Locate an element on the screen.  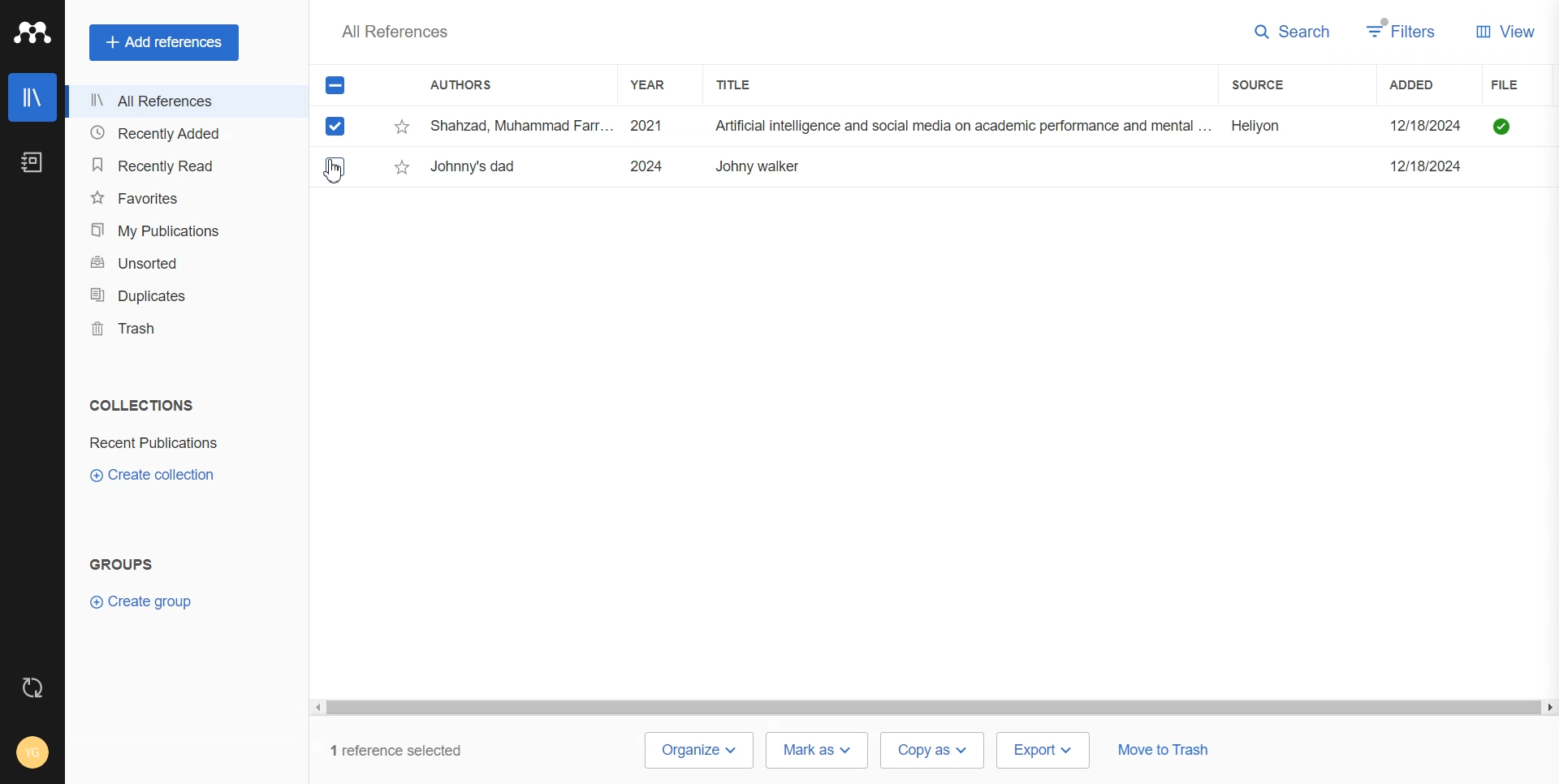
Filters is located at coordinates (1402, 31).